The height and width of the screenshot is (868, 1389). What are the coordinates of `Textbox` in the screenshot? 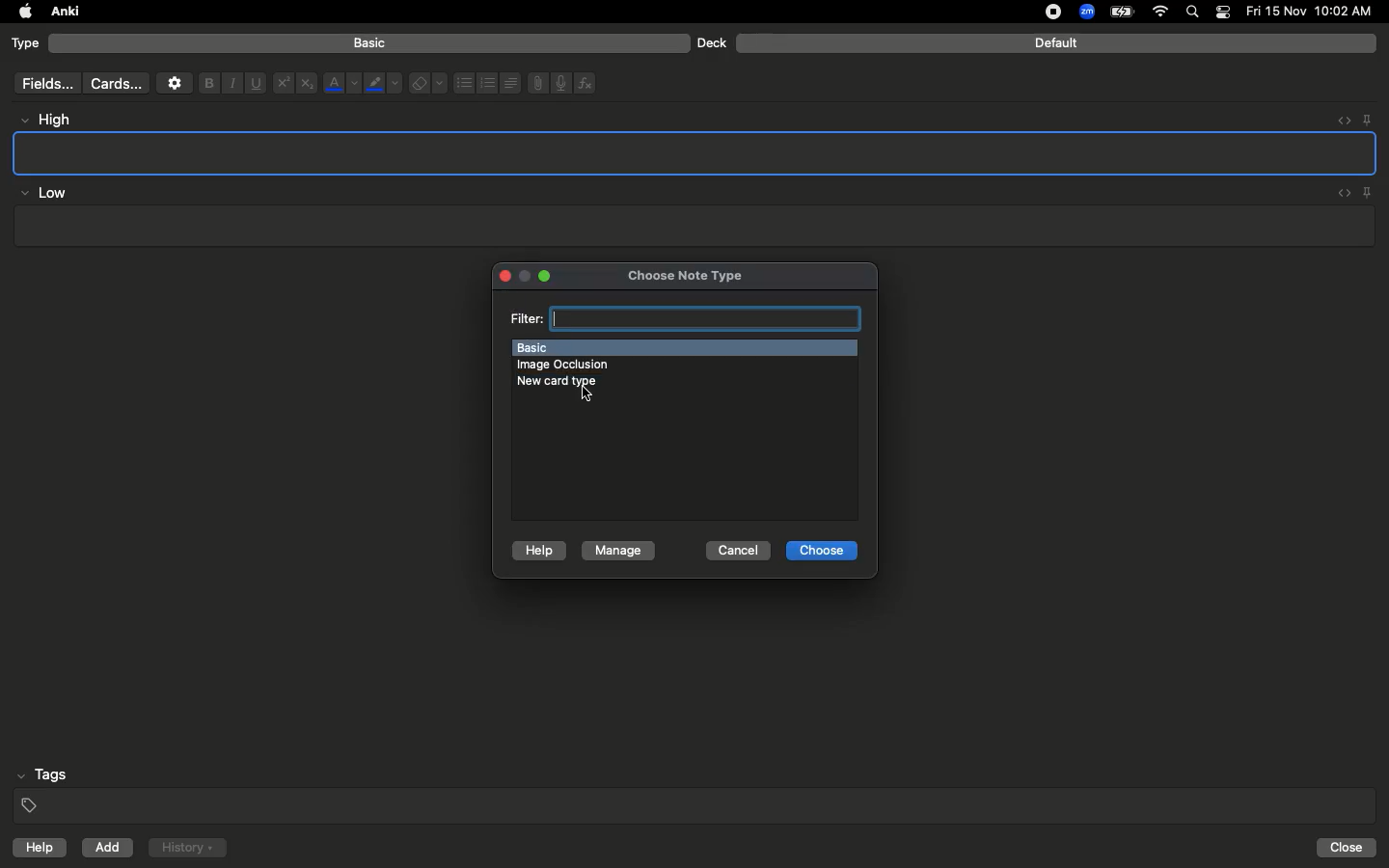 It's located at (696, 152).